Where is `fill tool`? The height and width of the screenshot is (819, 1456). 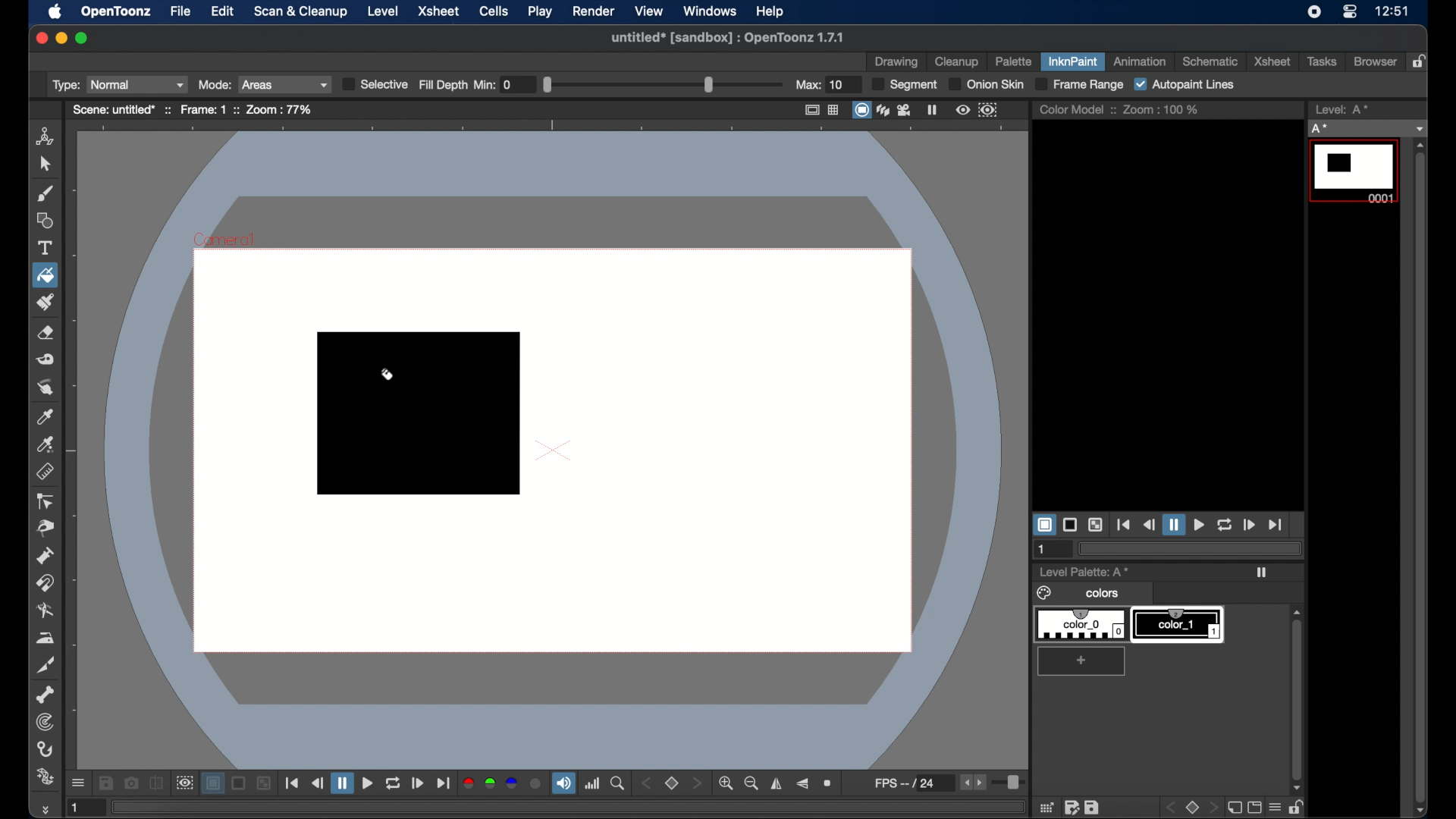
fill tool is located at coordinates (387, 378).